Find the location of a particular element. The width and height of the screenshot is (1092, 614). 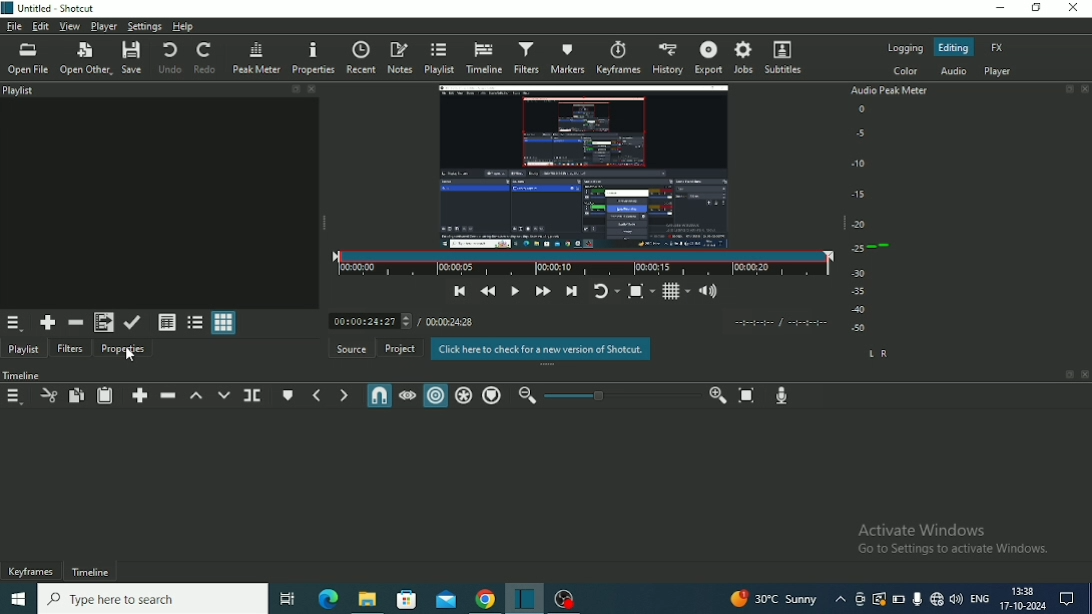

Resize is located at coordinates (842, 223).